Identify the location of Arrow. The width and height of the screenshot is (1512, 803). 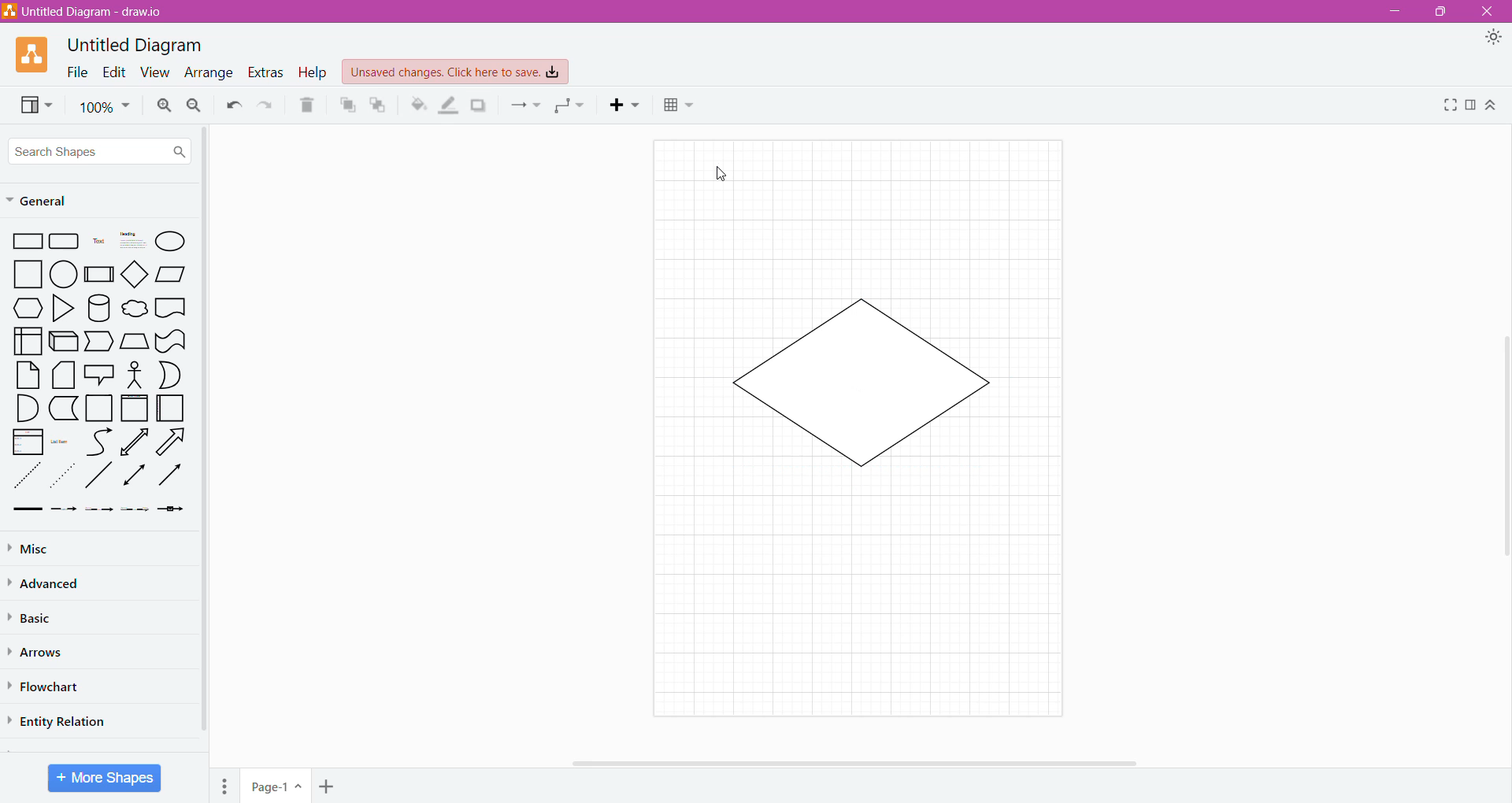
(174, 444).